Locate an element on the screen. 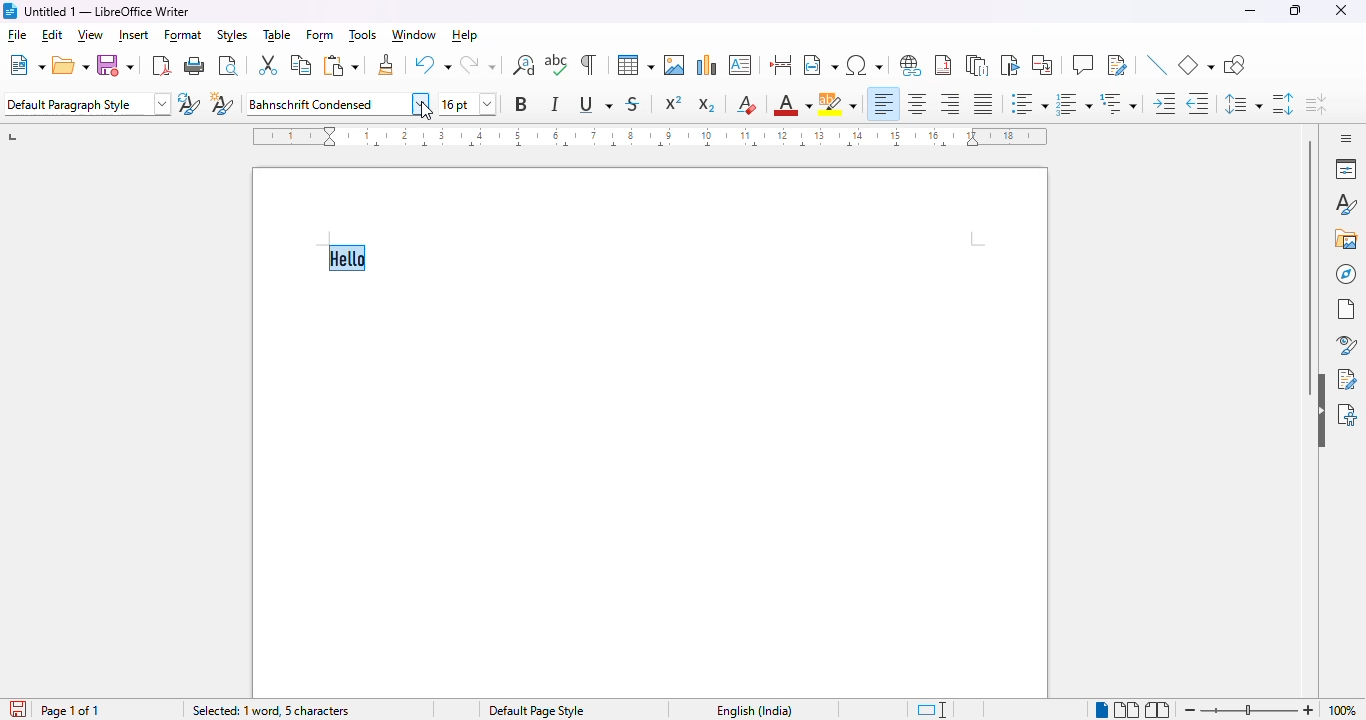  align right is located at coordinates (951, 104).